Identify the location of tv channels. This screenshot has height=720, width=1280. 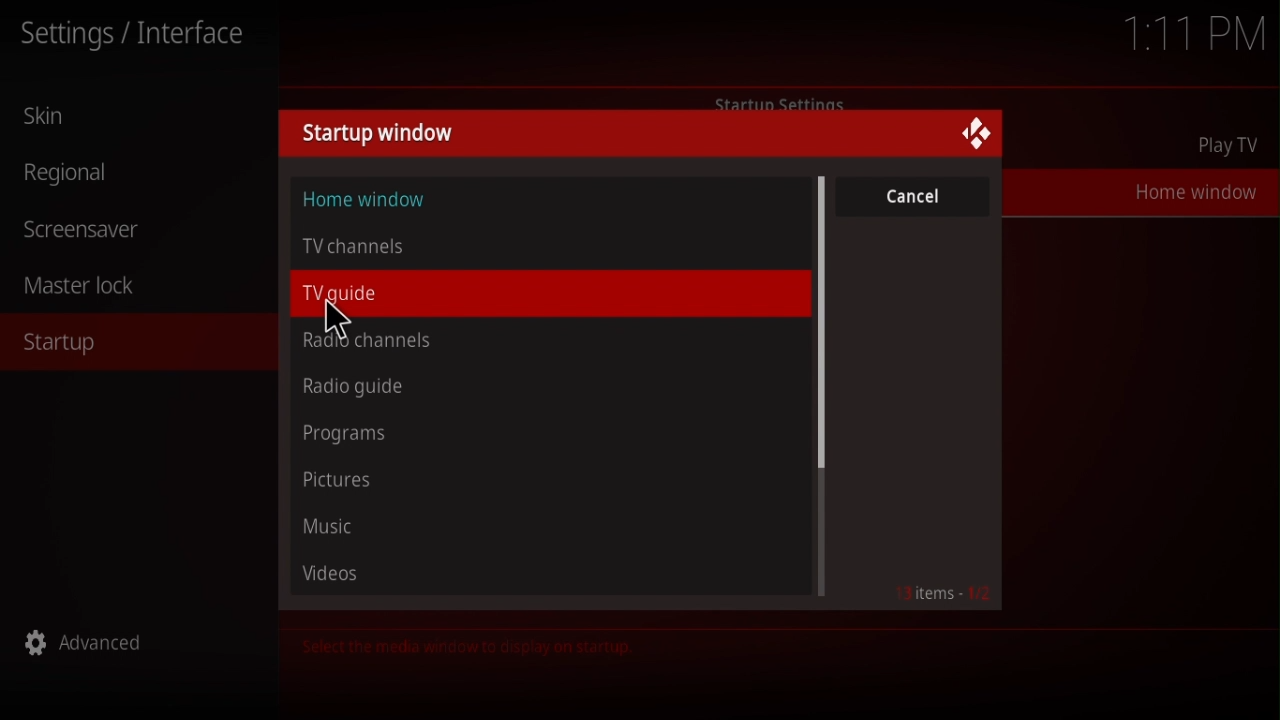
(367, 246).